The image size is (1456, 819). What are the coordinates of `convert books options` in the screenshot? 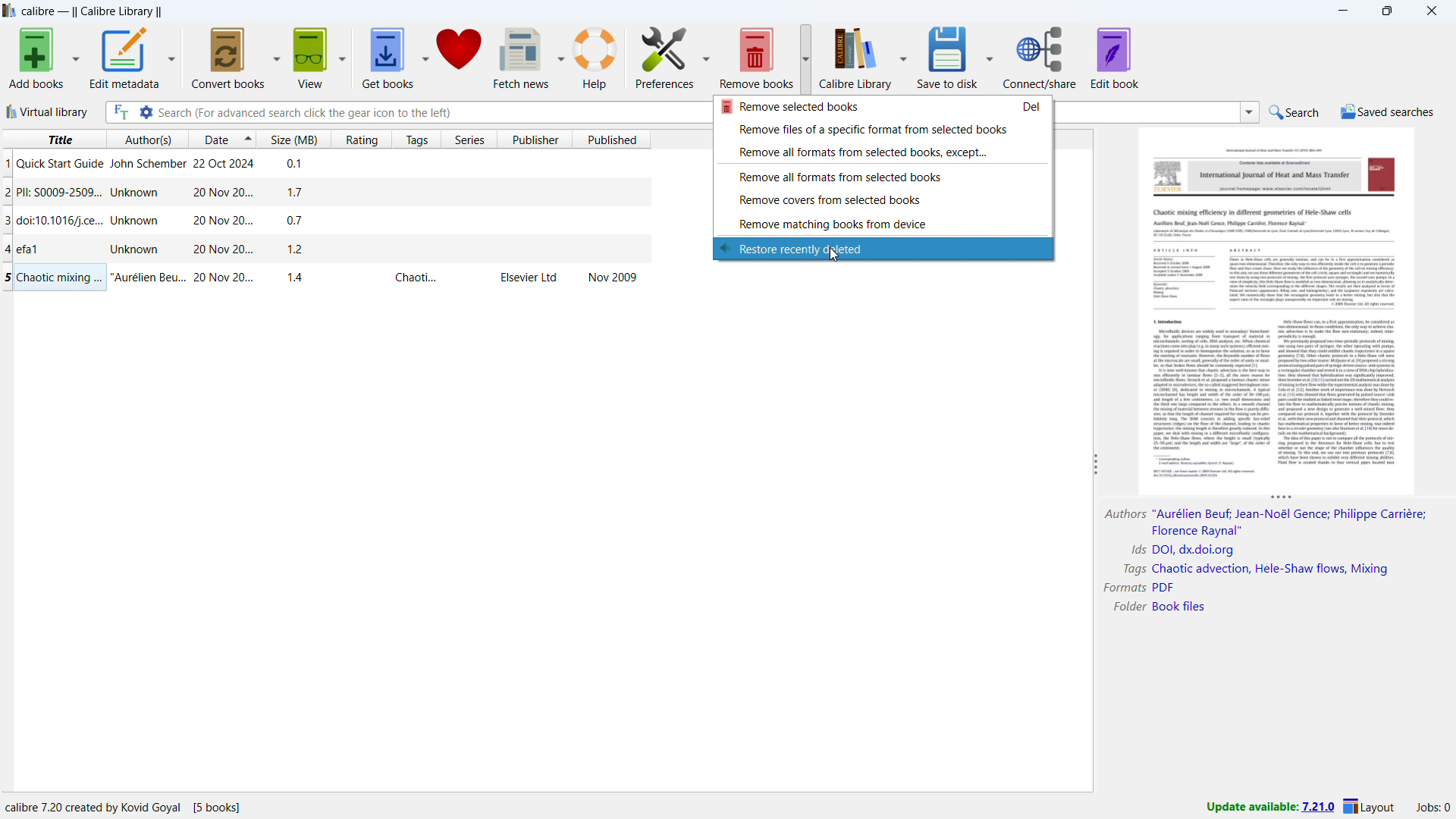 It's located at (276, 58).